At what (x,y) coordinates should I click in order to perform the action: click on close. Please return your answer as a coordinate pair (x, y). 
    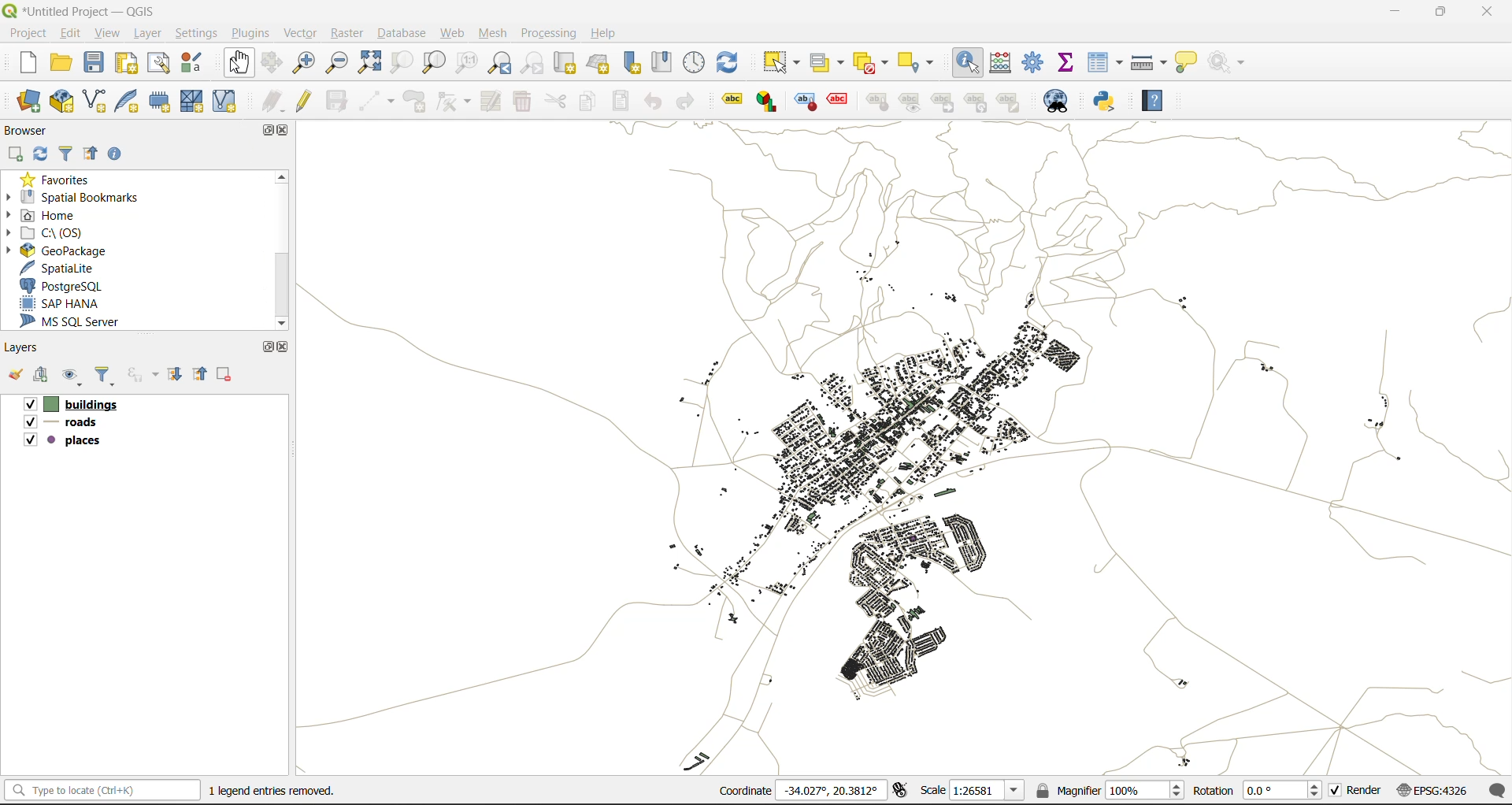
    Looking at the image, I should click on (1483, 15).